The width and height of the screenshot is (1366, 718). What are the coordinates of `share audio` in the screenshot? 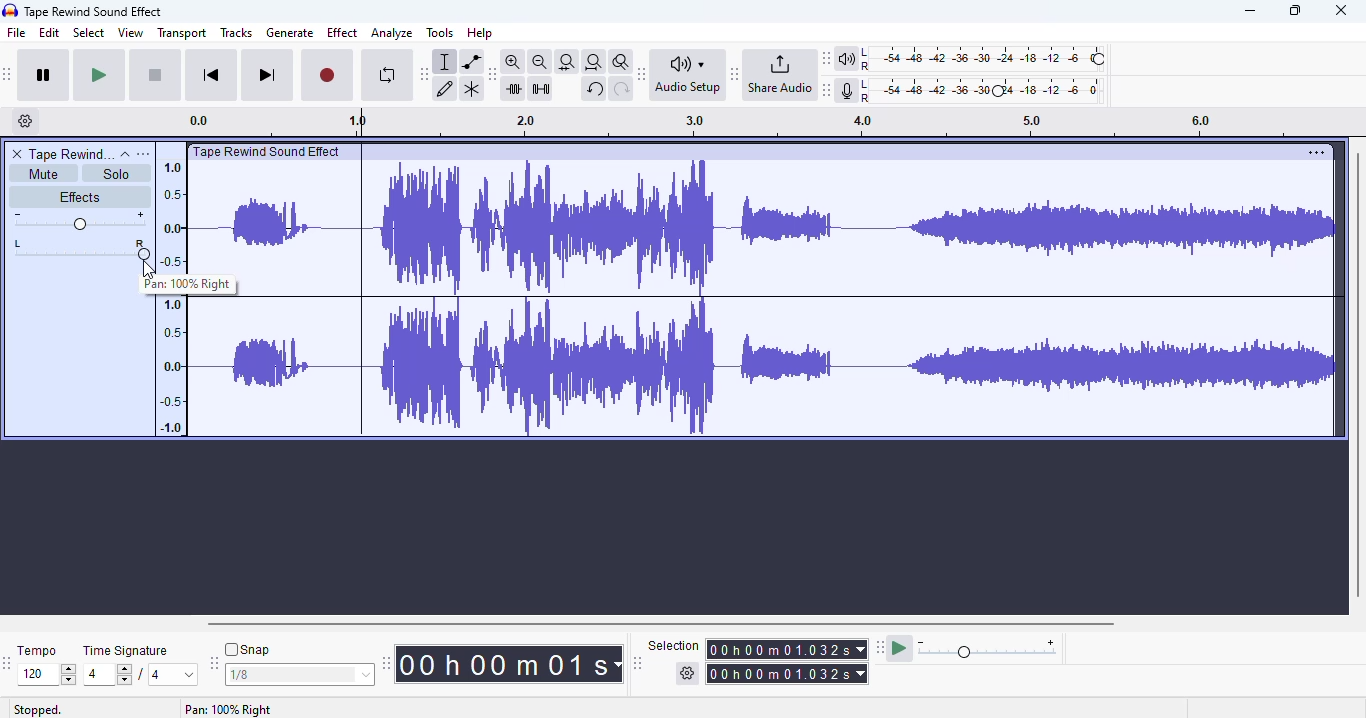 It's located at (779, 73).